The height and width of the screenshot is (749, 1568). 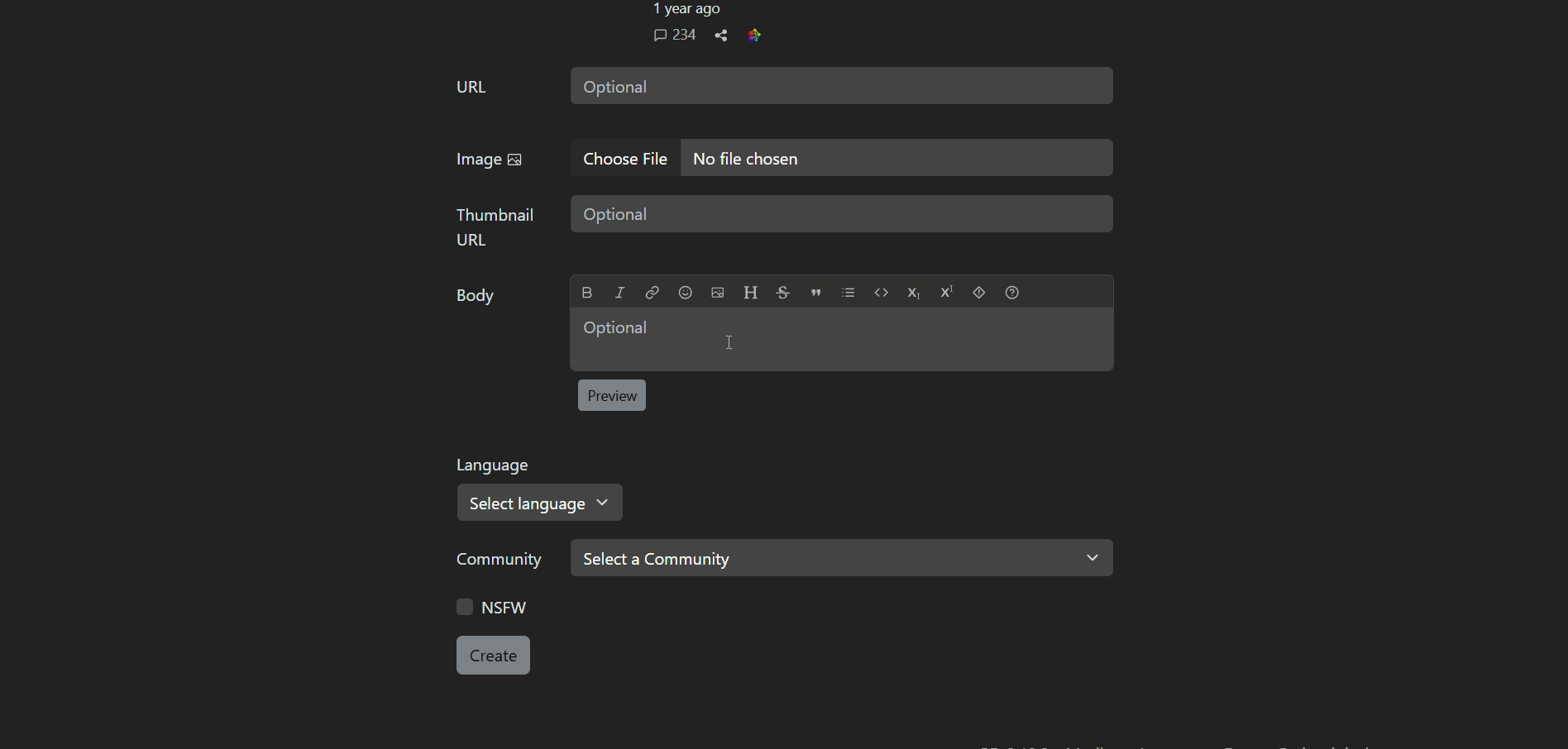 What do you see at coordinates (816, 292) in the screenshot?
I see `Quote` at bounding box center [816, 292].